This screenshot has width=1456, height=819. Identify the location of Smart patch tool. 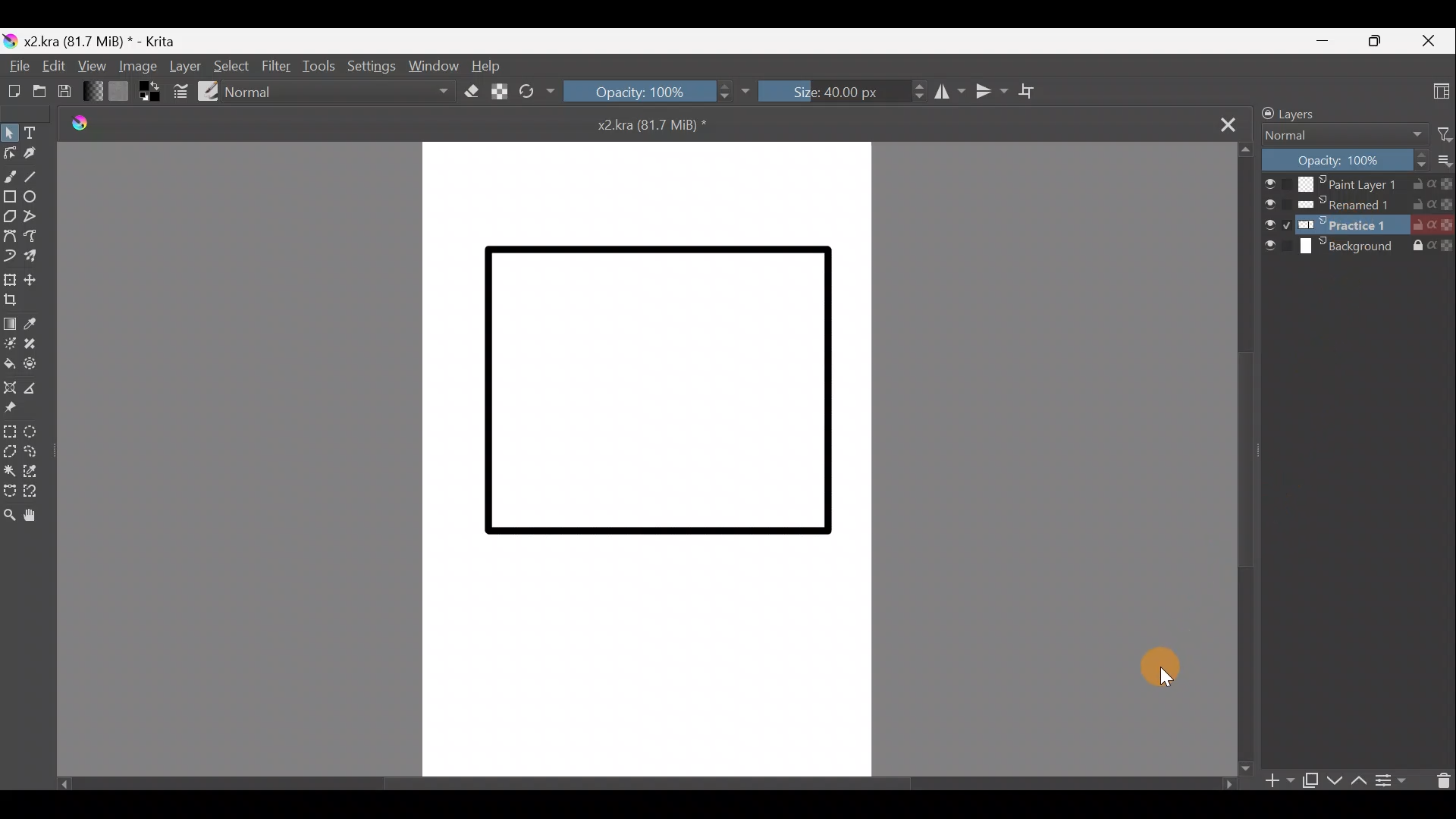
(39, 344).